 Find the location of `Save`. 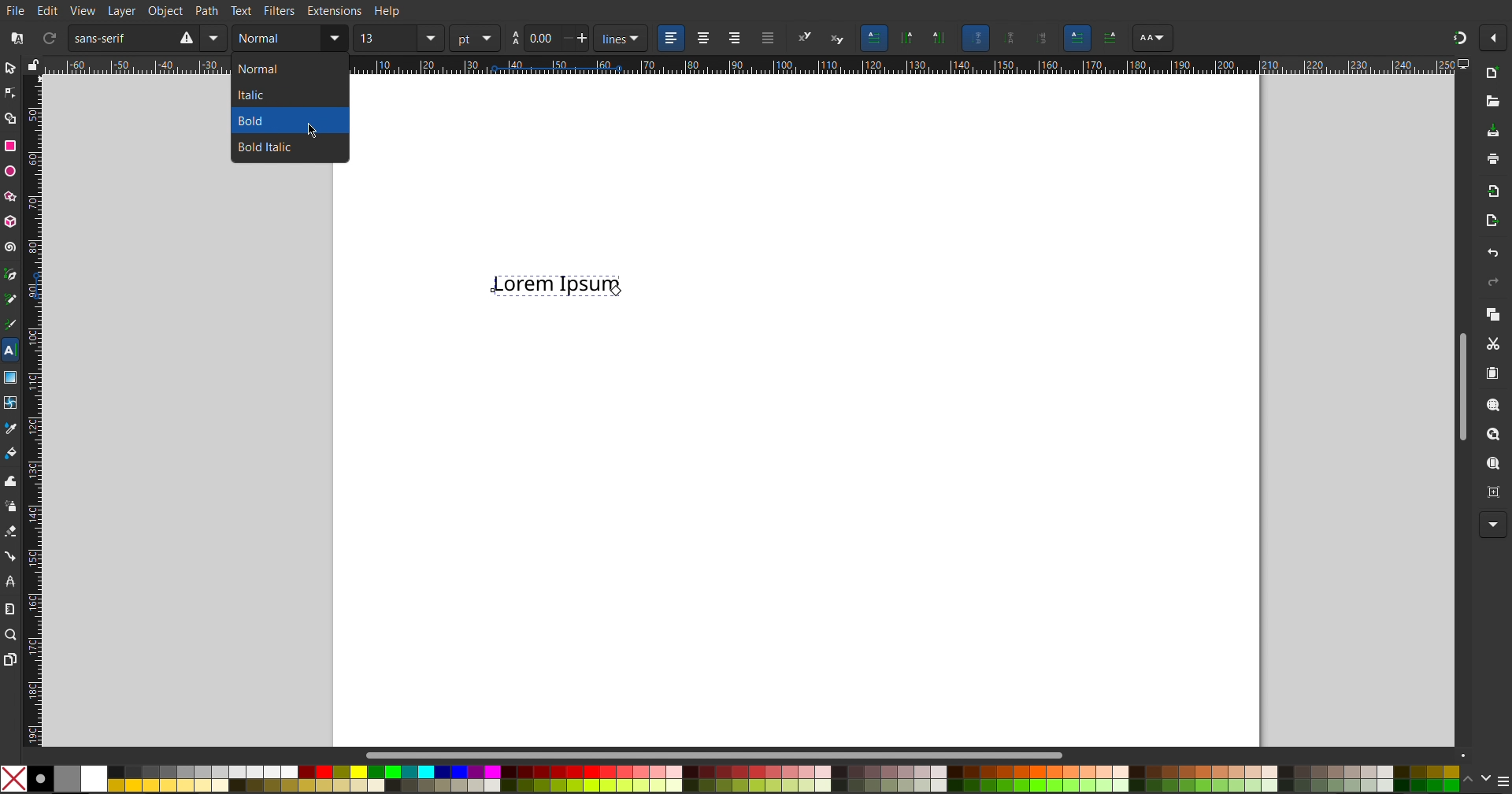

Save is located at coordinates (1493, 132).